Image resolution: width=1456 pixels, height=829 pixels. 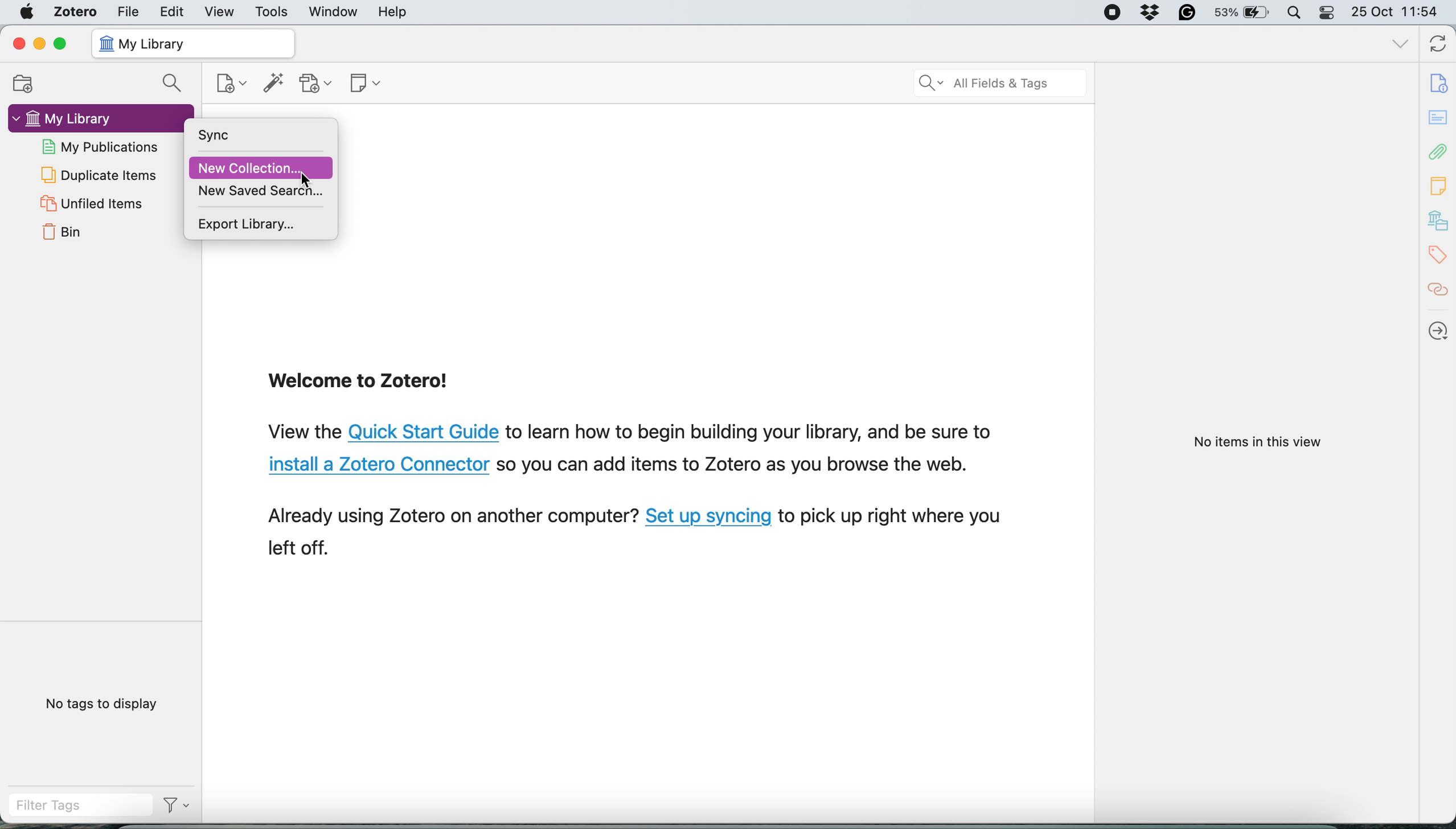 I want to click on my library, so click(x=90, y=117).